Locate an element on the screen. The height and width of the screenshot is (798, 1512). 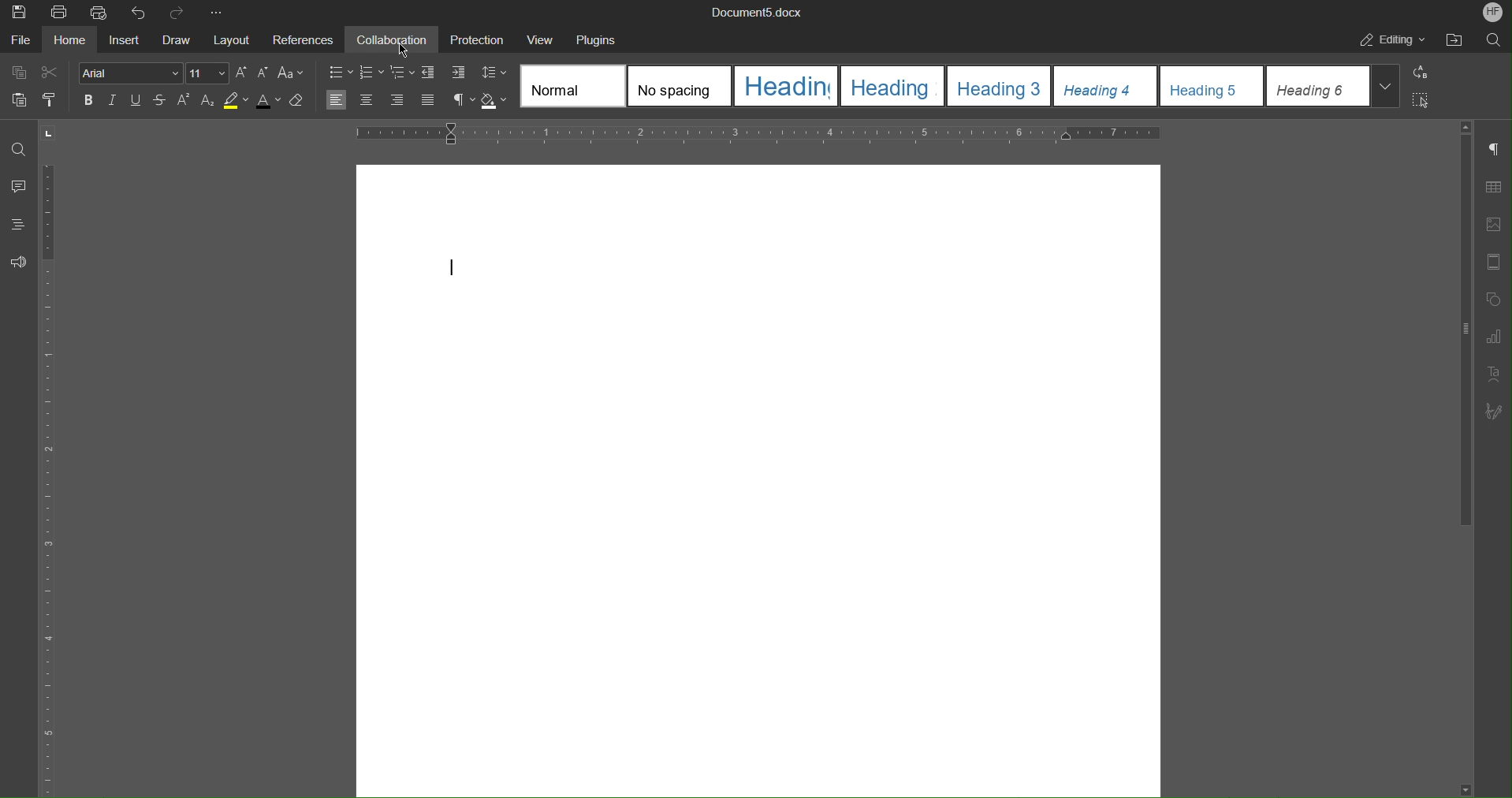
Underline is located at coordinates (140, 103).